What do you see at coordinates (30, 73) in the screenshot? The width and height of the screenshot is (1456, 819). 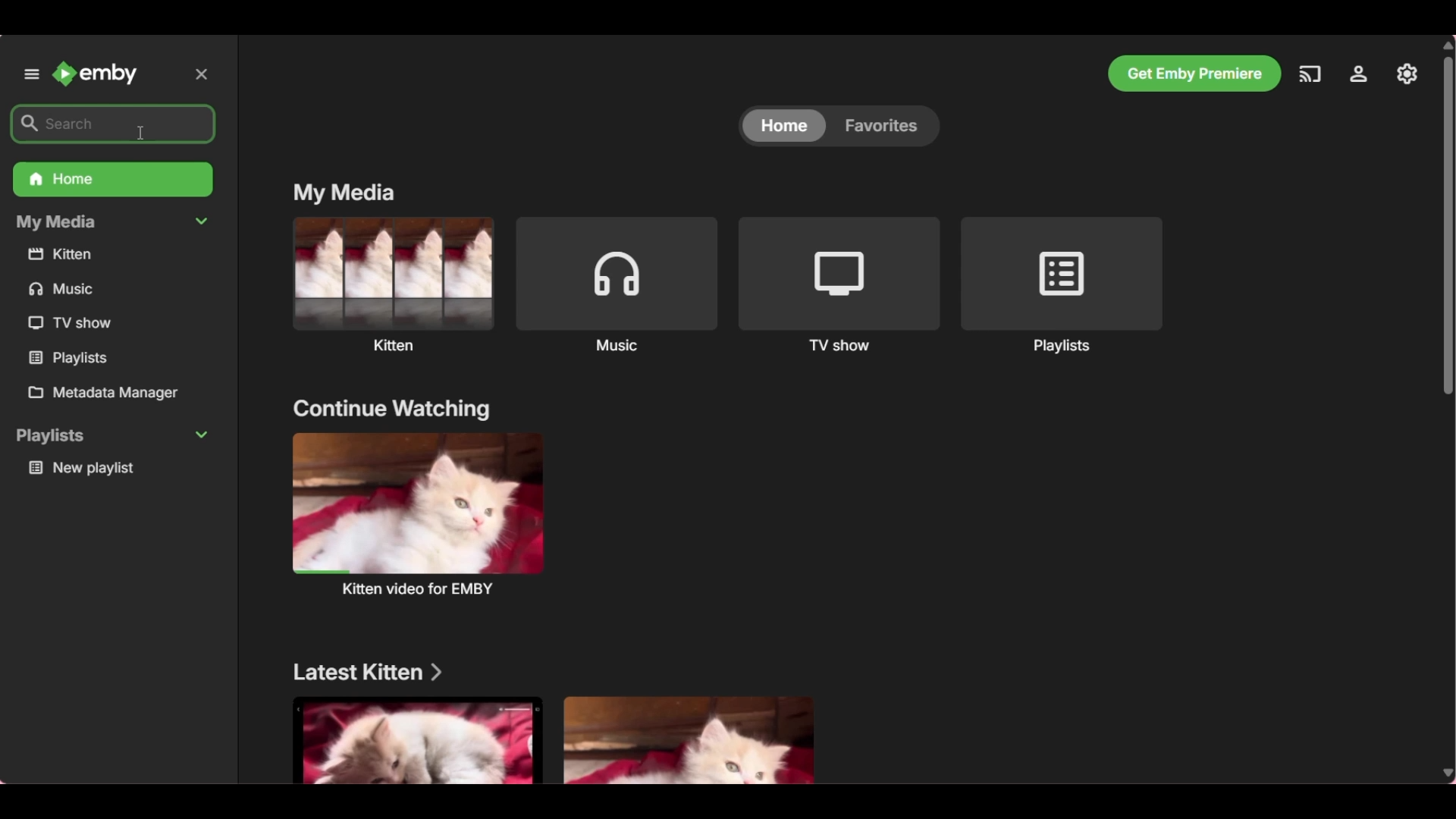 I see `Unpin left panel` at bounding box center [30, 73].